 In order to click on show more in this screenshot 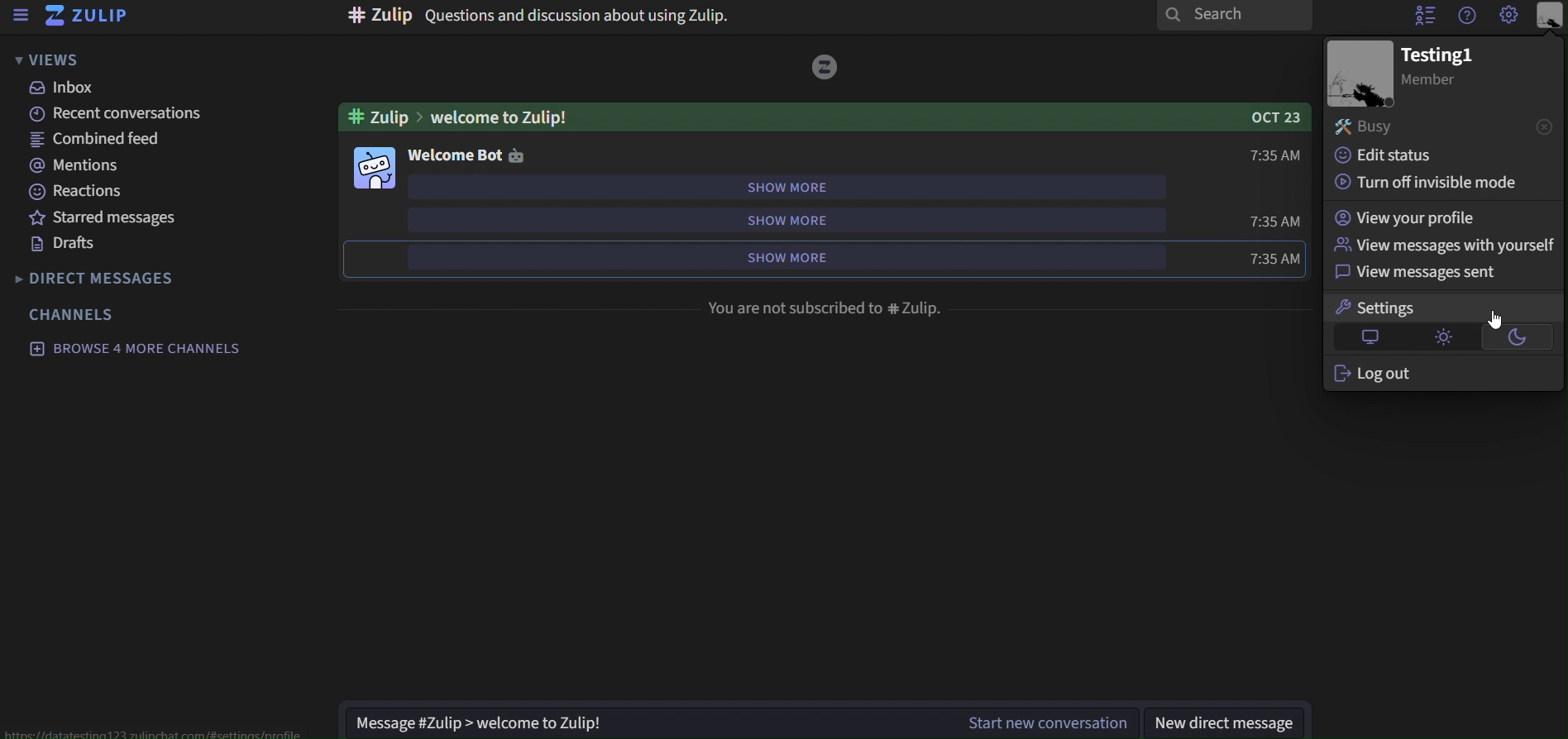, I will do `click(790, 256)`.